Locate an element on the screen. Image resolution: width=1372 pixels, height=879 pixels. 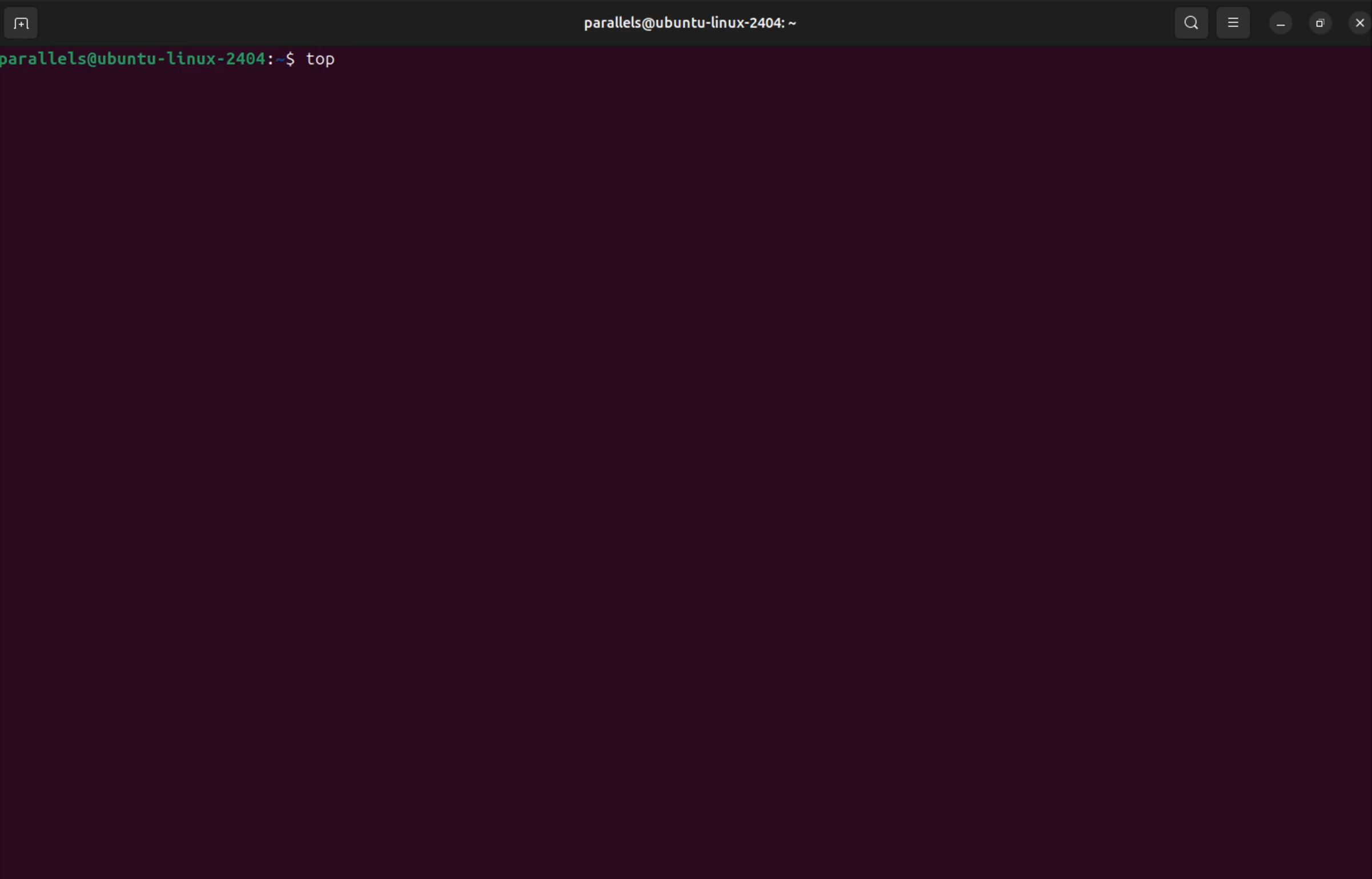
barallels@ubuntu-1linux-2404:- is located at coordinates (697, 23).